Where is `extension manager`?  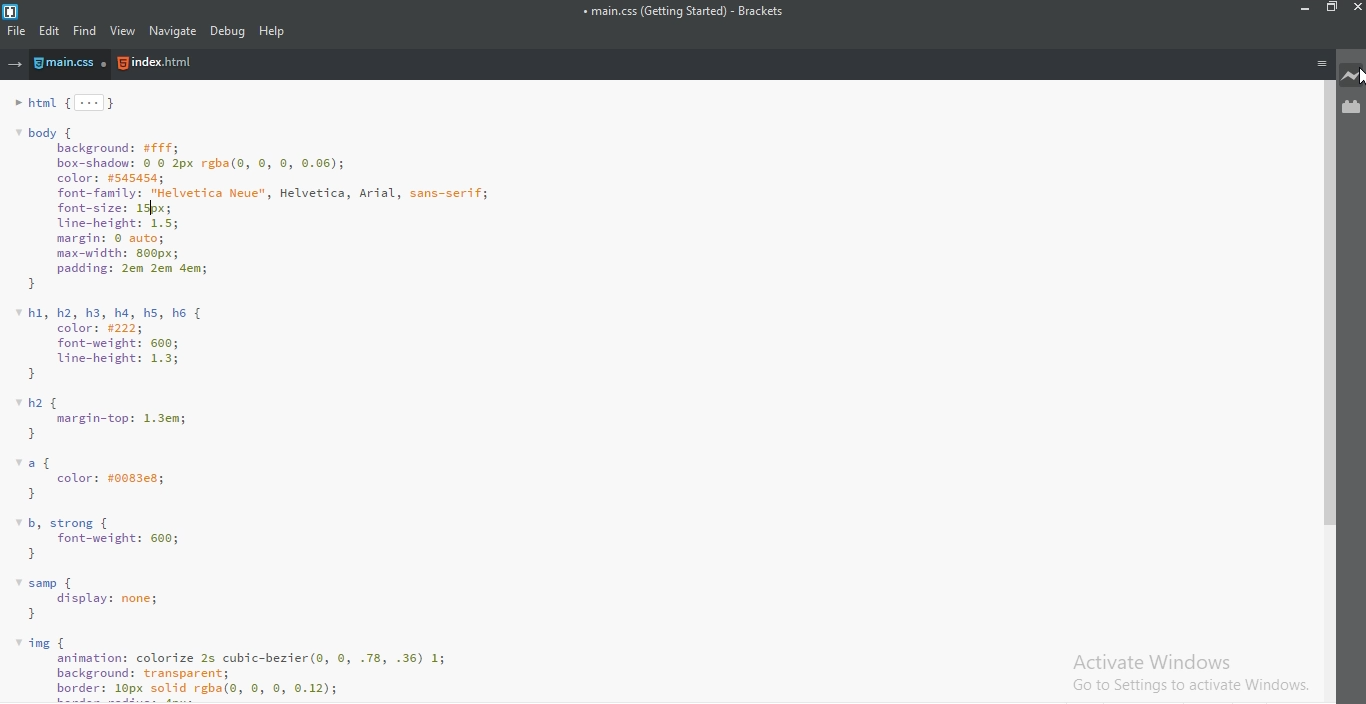 extension manager is located at coordinates (1352, 107).